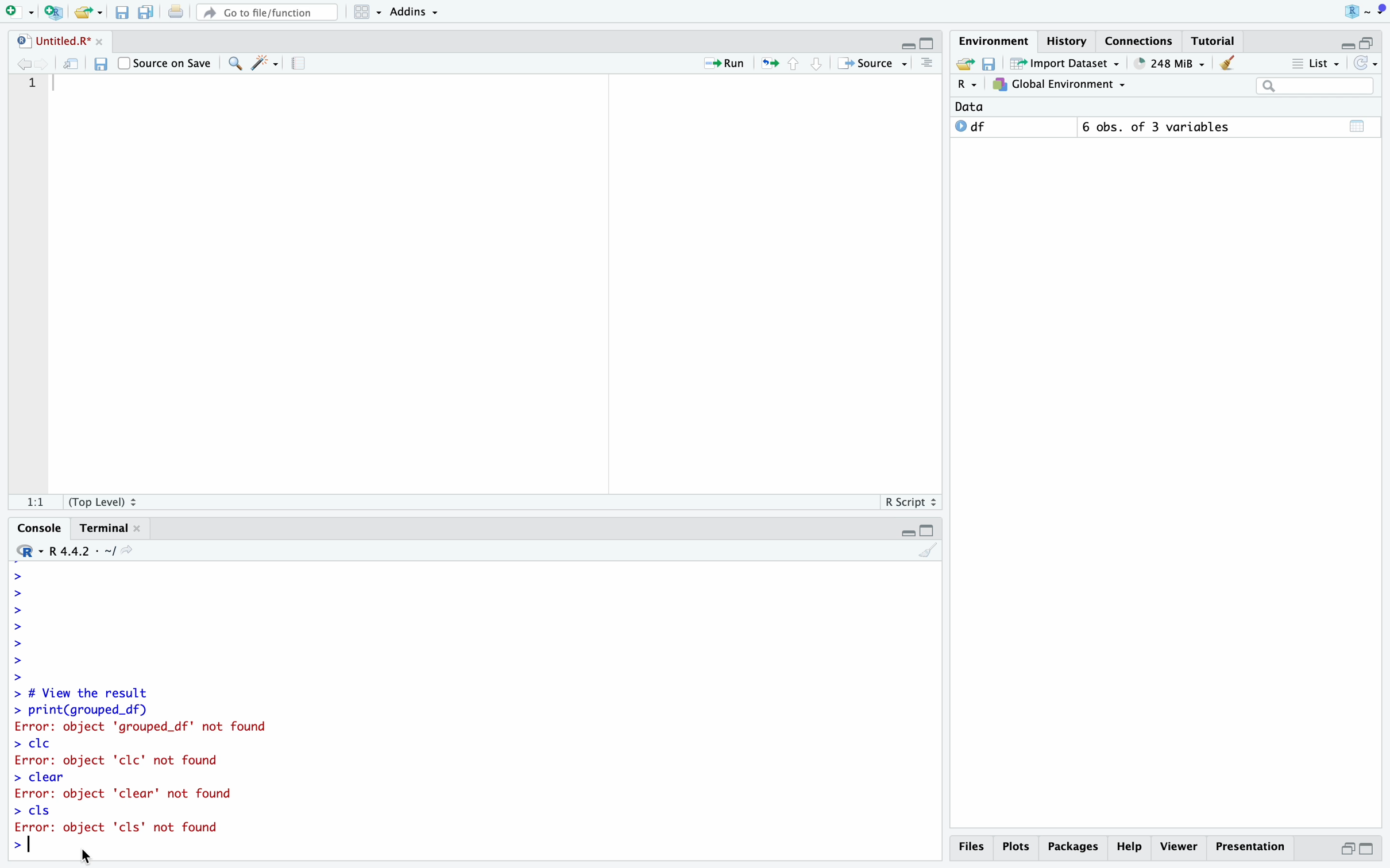 The height and width of the screenshot is (868, 1390). Describe the element at coordinates (1139, 41) in the screenshot. I see `Connections` at that location.